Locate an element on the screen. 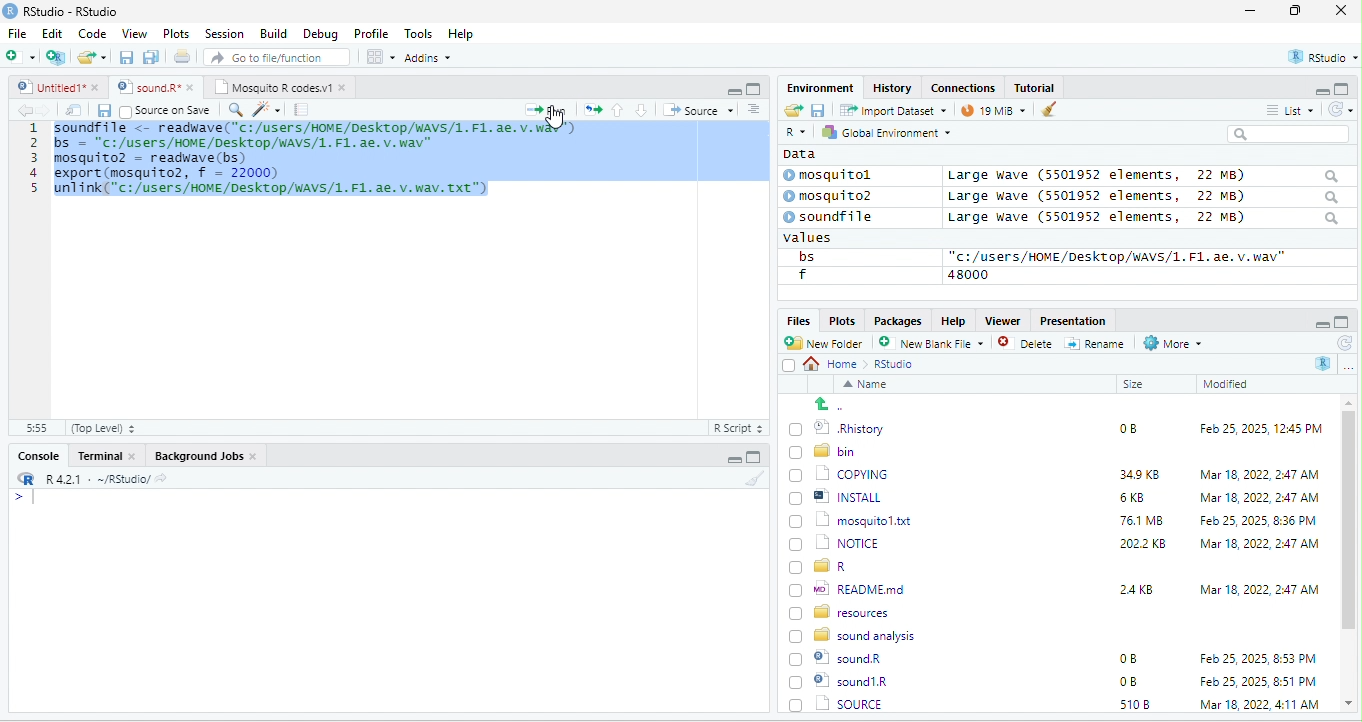 The width and height of the screenshot is (1362, 722). History is located at coordinates (893, 87).